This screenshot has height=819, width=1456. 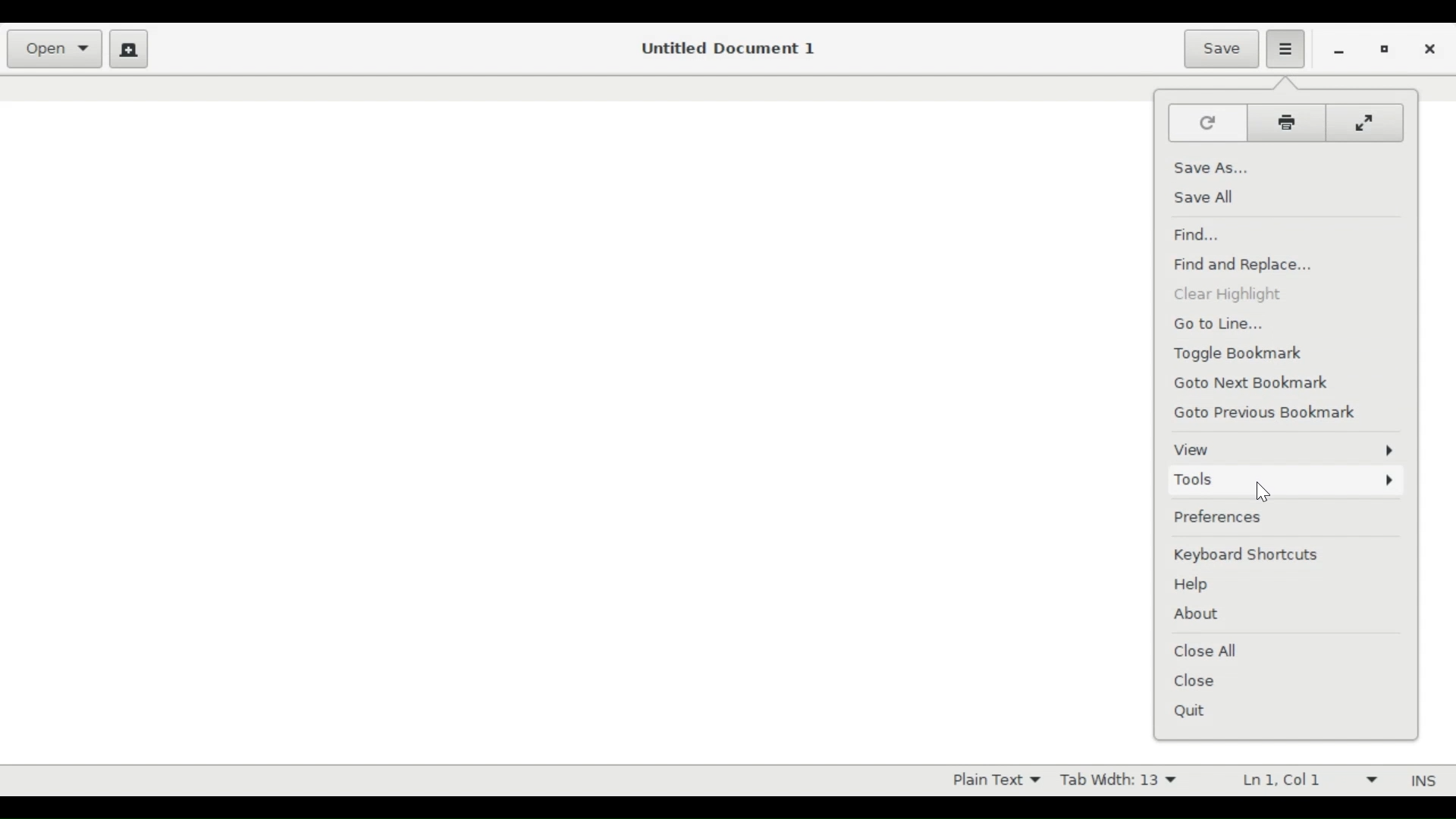 What do you see at coordinates (1301, 779) in the screenshot?
I see `Ln 1 Col 1` at bounding box center [1301, 779].